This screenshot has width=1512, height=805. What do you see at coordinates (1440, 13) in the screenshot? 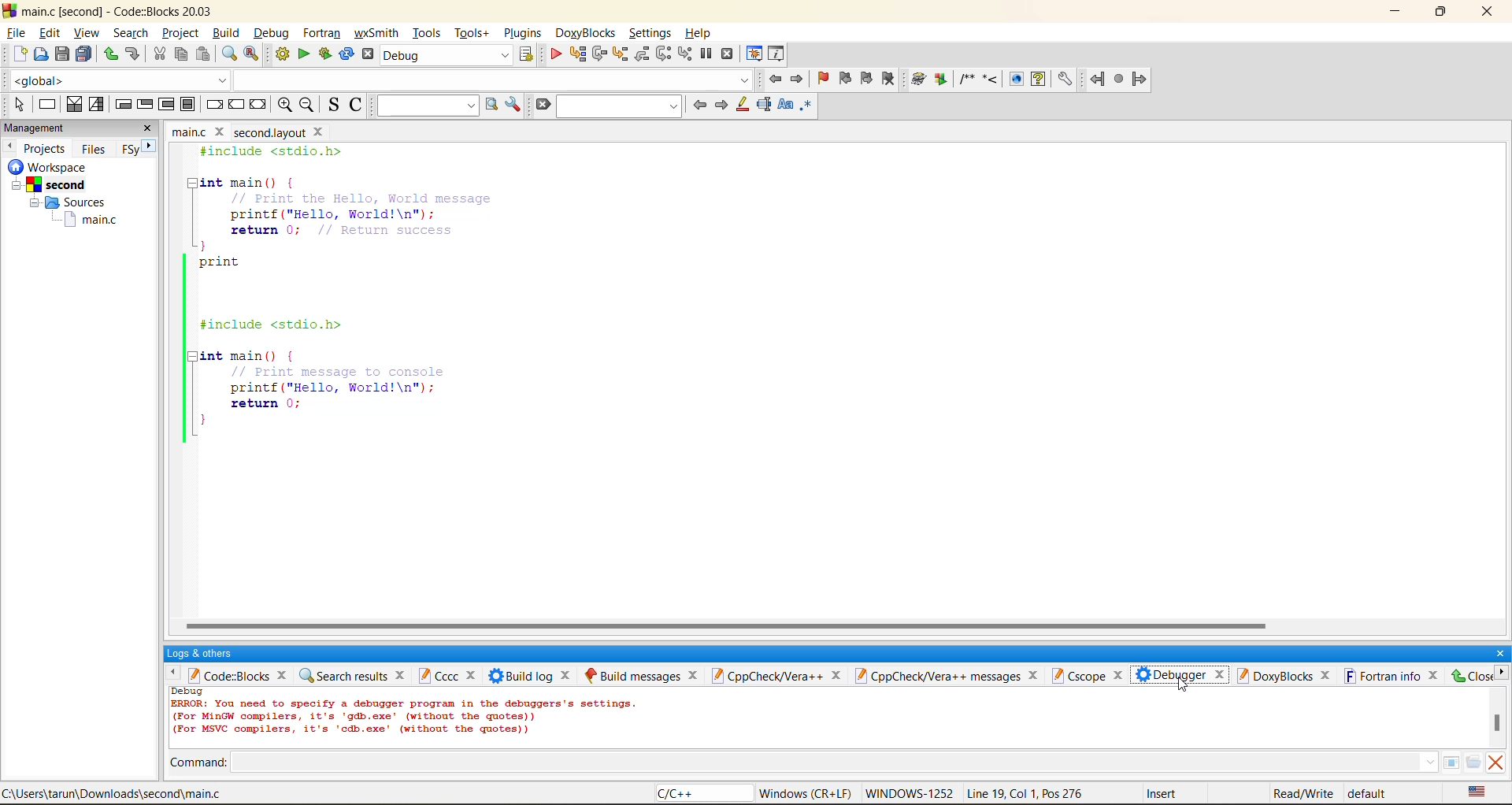
I see `maximize` at bounding box center [1440, 13].